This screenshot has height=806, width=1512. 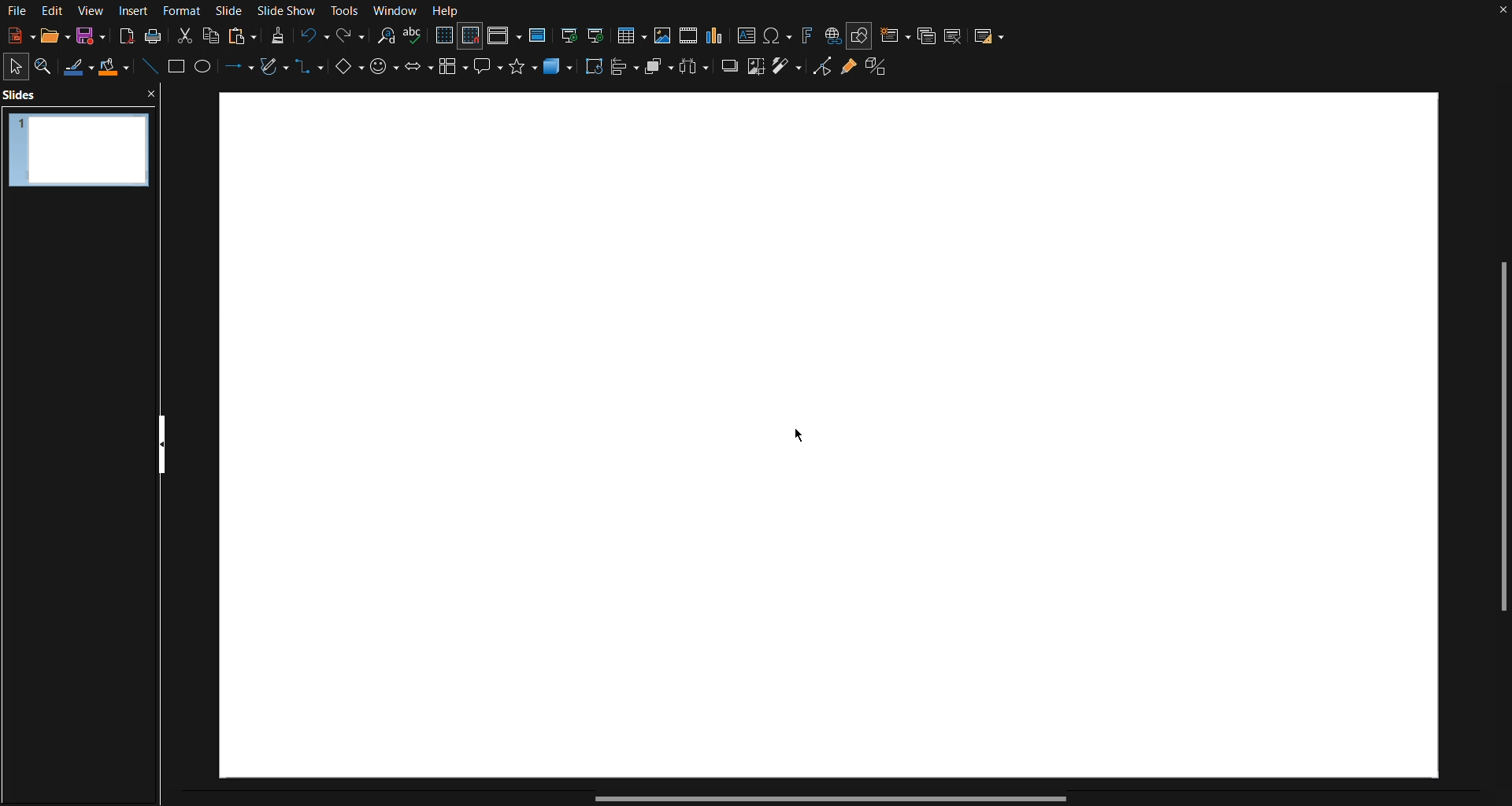 I want to click on Help, so click(x=447, y=11).